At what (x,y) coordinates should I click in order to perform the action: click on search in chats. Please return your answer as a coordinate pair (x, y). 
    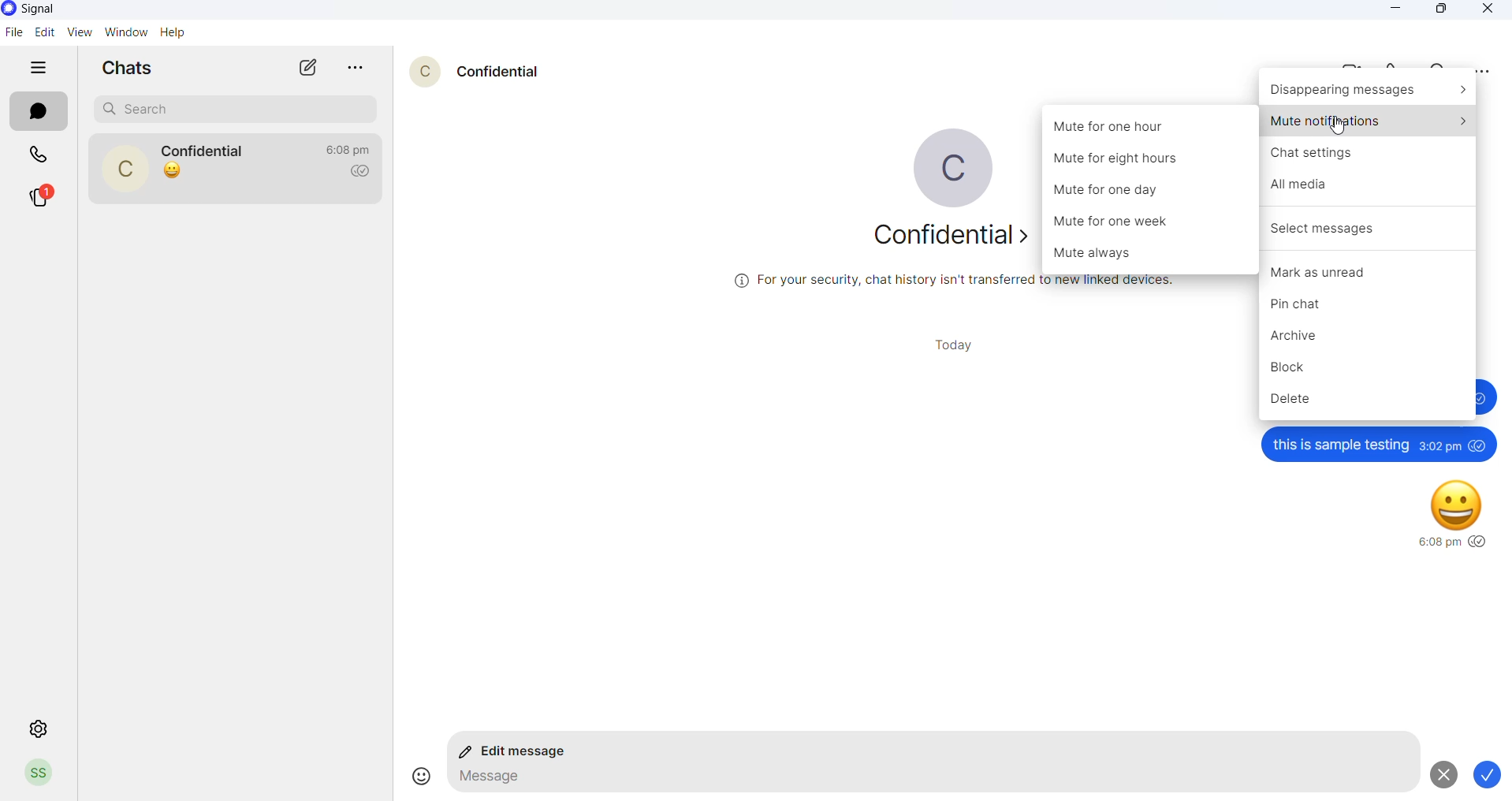
    Looking at the image, I should click on (1439, 62).